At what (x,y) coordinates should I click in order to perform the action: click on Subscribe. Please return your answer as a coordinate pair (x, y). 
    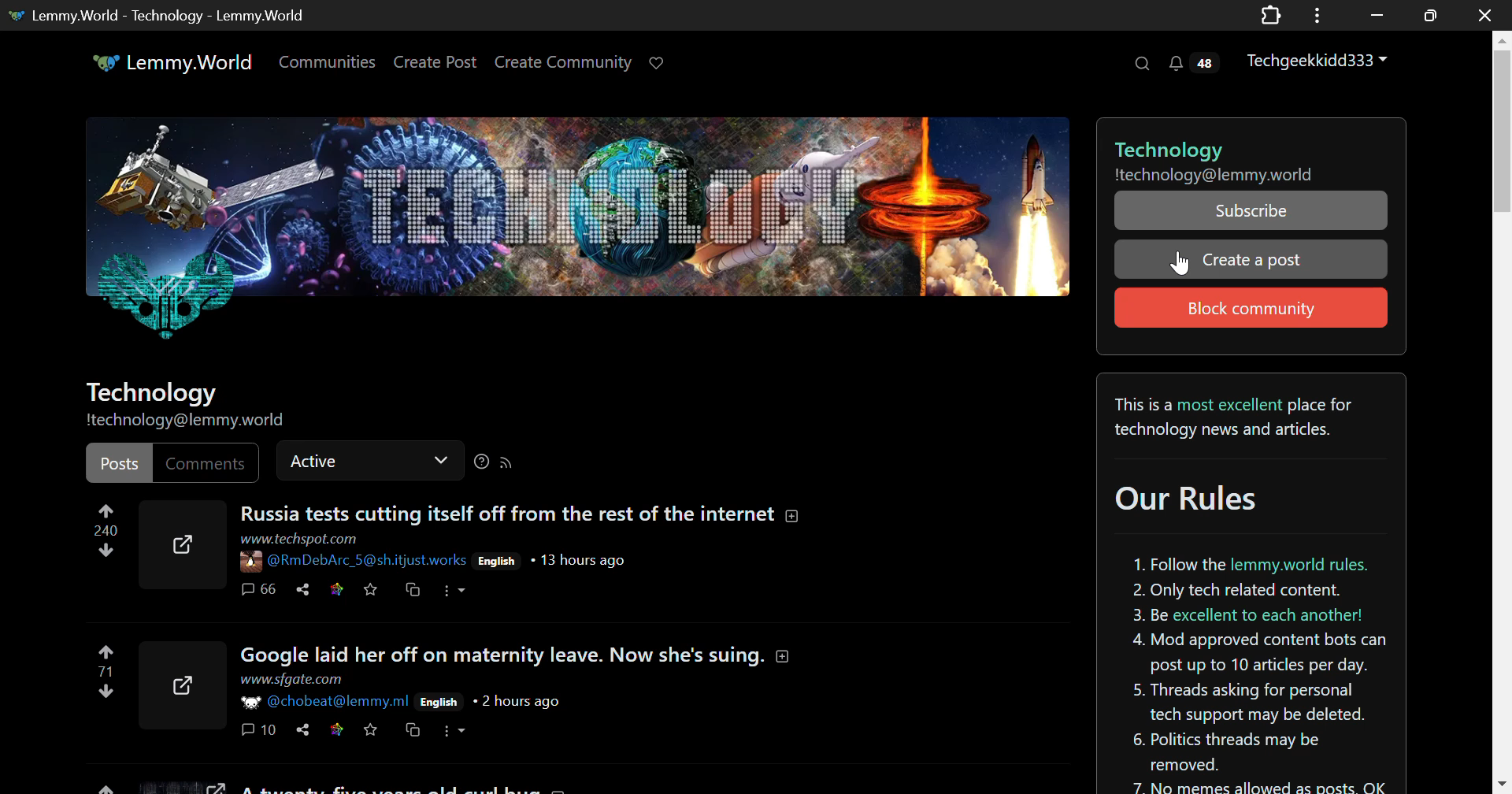
    Looking at the image, I should click on (1251, 210).